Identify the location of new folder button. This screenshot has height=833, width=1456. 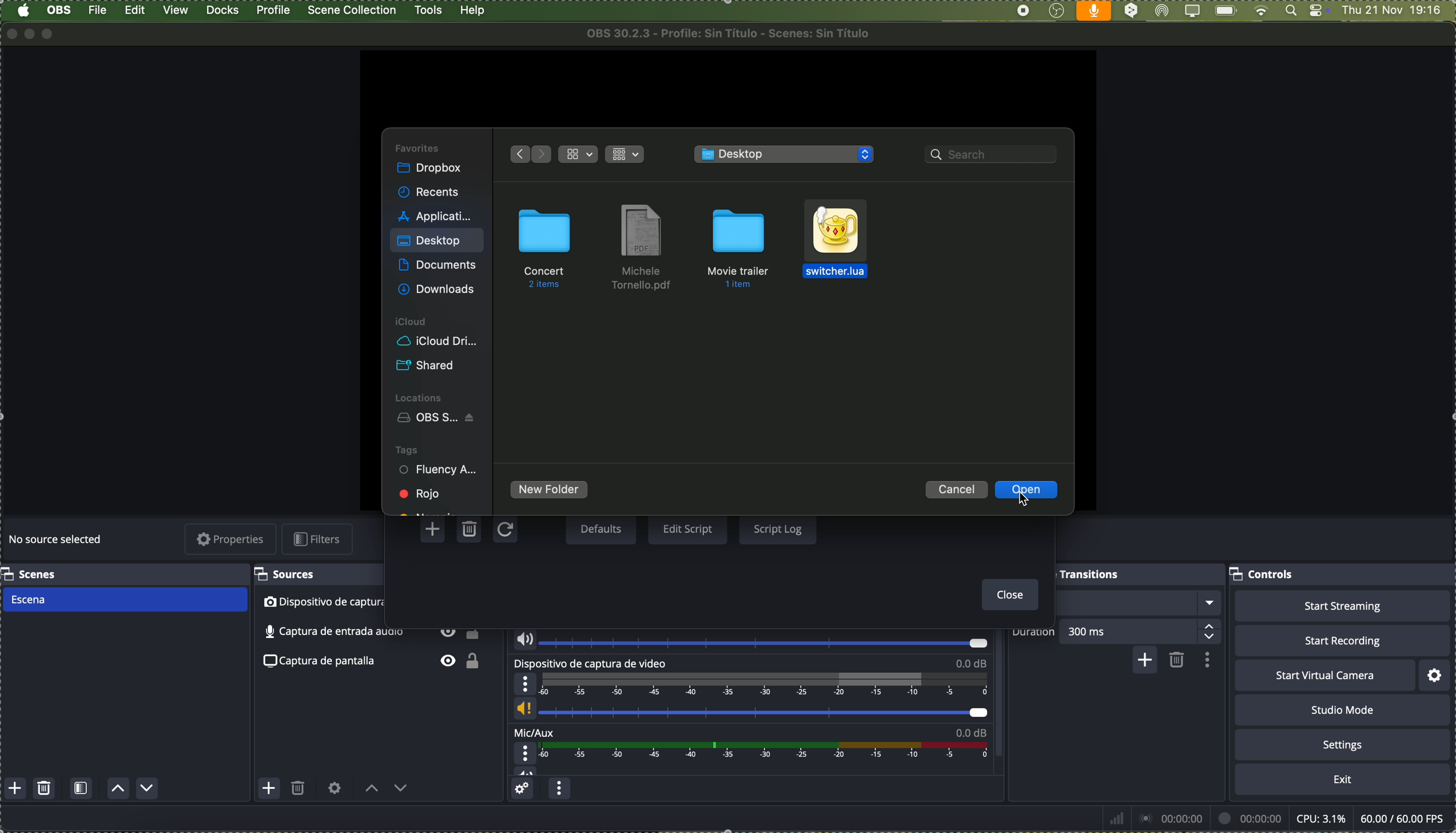
(550, 491).